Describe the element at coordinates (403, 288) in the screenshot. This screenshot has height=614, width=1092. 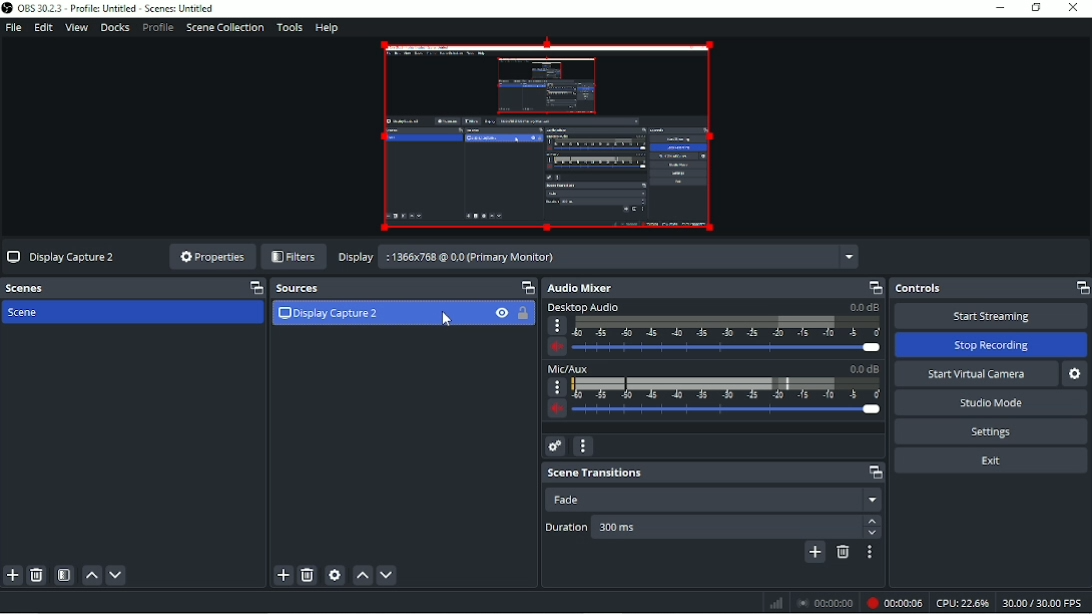
I see `Sources` at that location.